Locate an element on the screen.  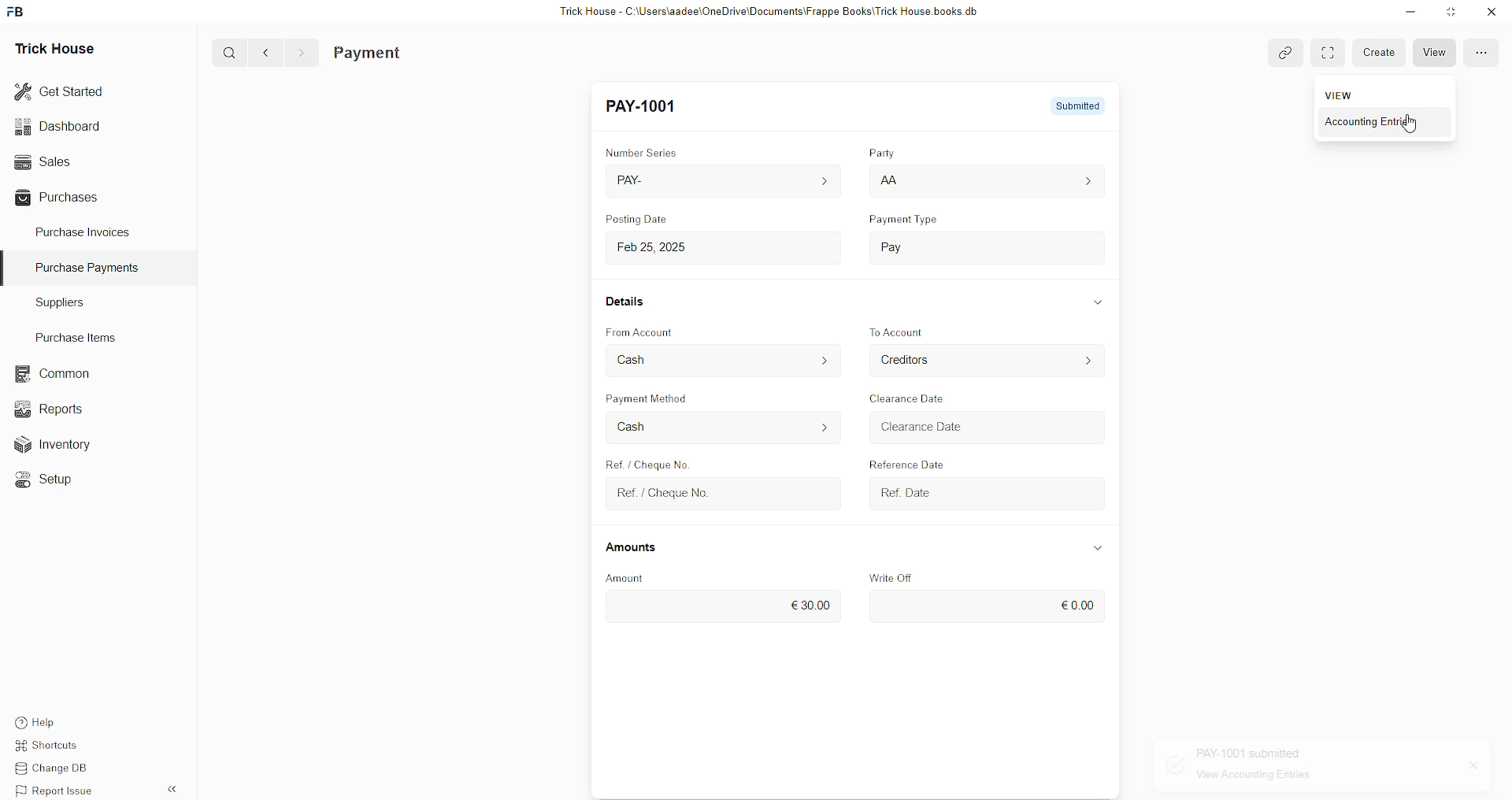
Number Series is located at coordinates (652, 152).